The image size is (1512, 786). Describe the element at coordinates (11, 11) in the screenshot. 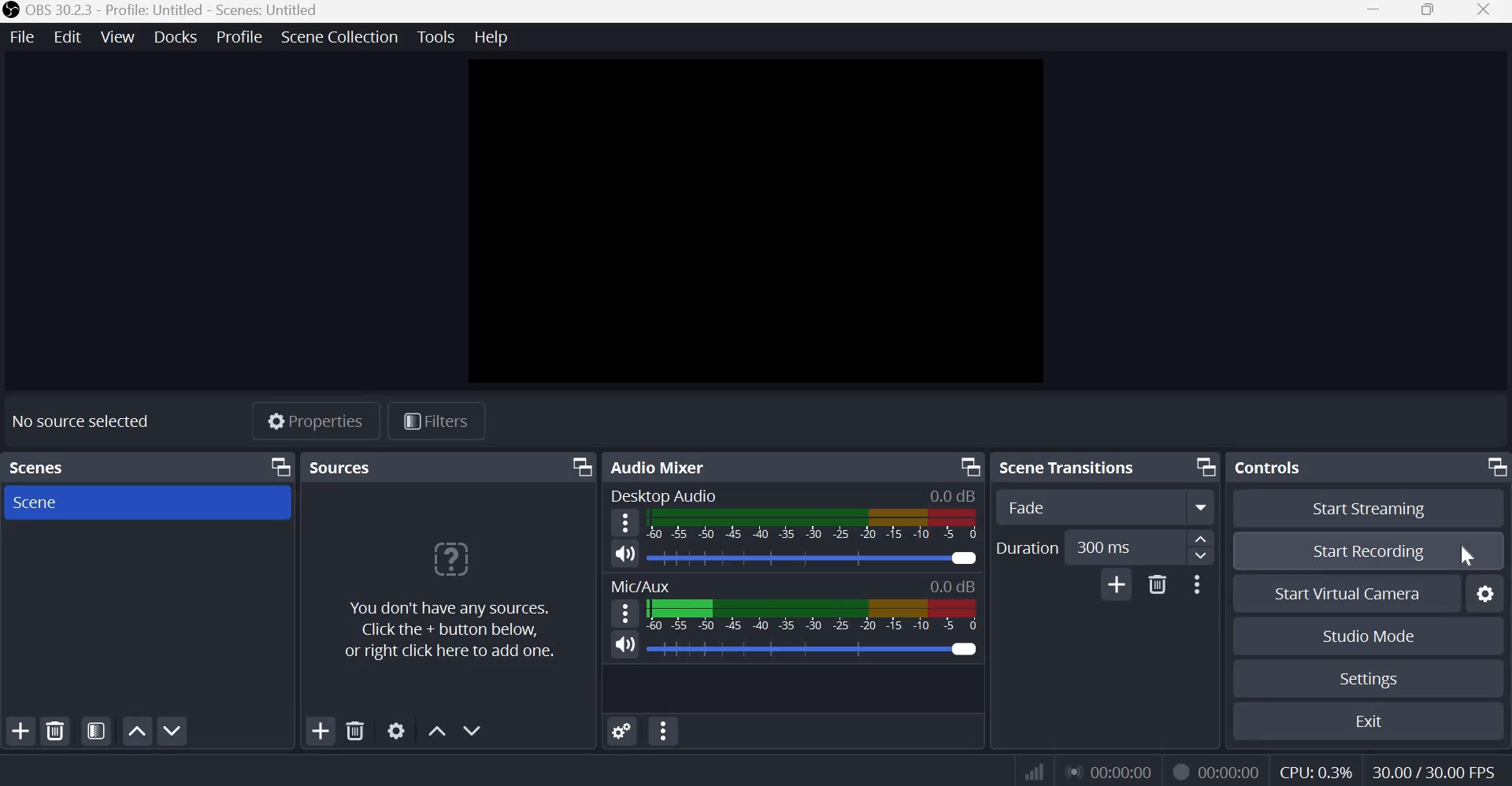

I see `Logo` at that location.